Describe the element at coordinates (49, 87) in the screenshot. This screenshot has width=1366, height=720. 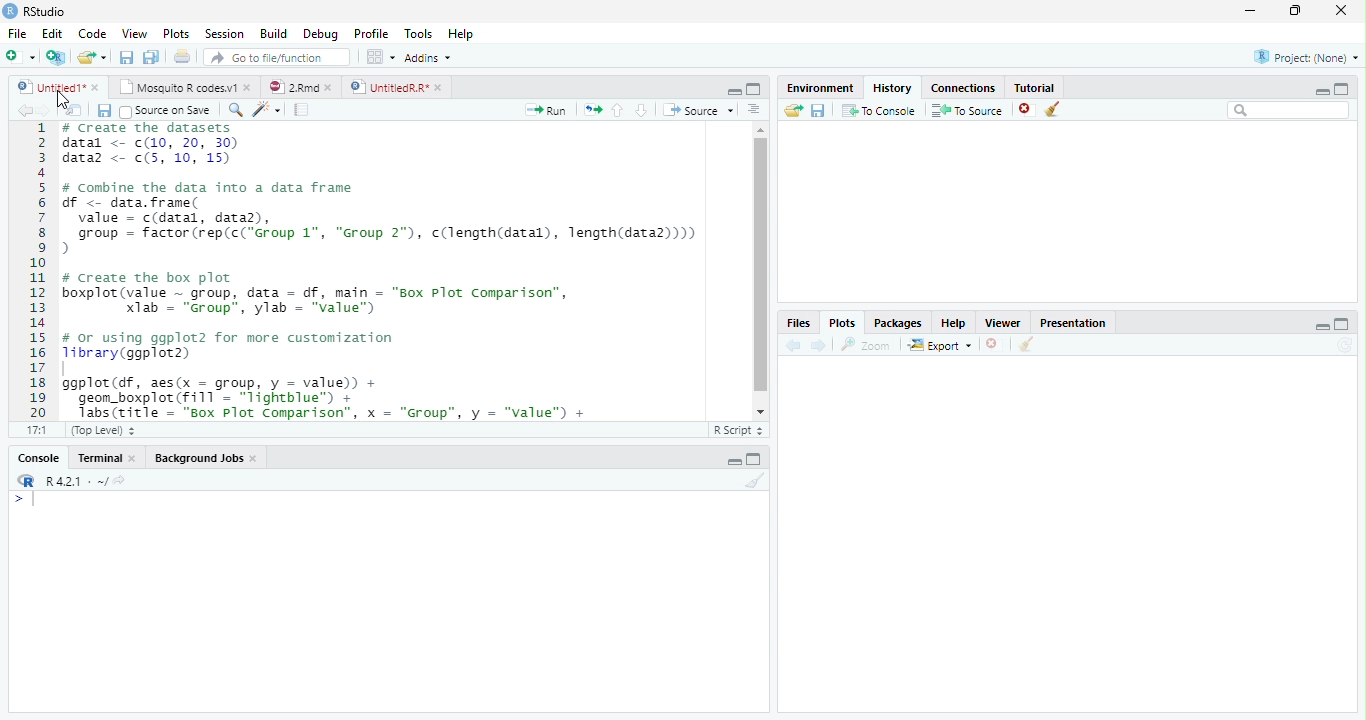
I see `Untitled1*` at that location.